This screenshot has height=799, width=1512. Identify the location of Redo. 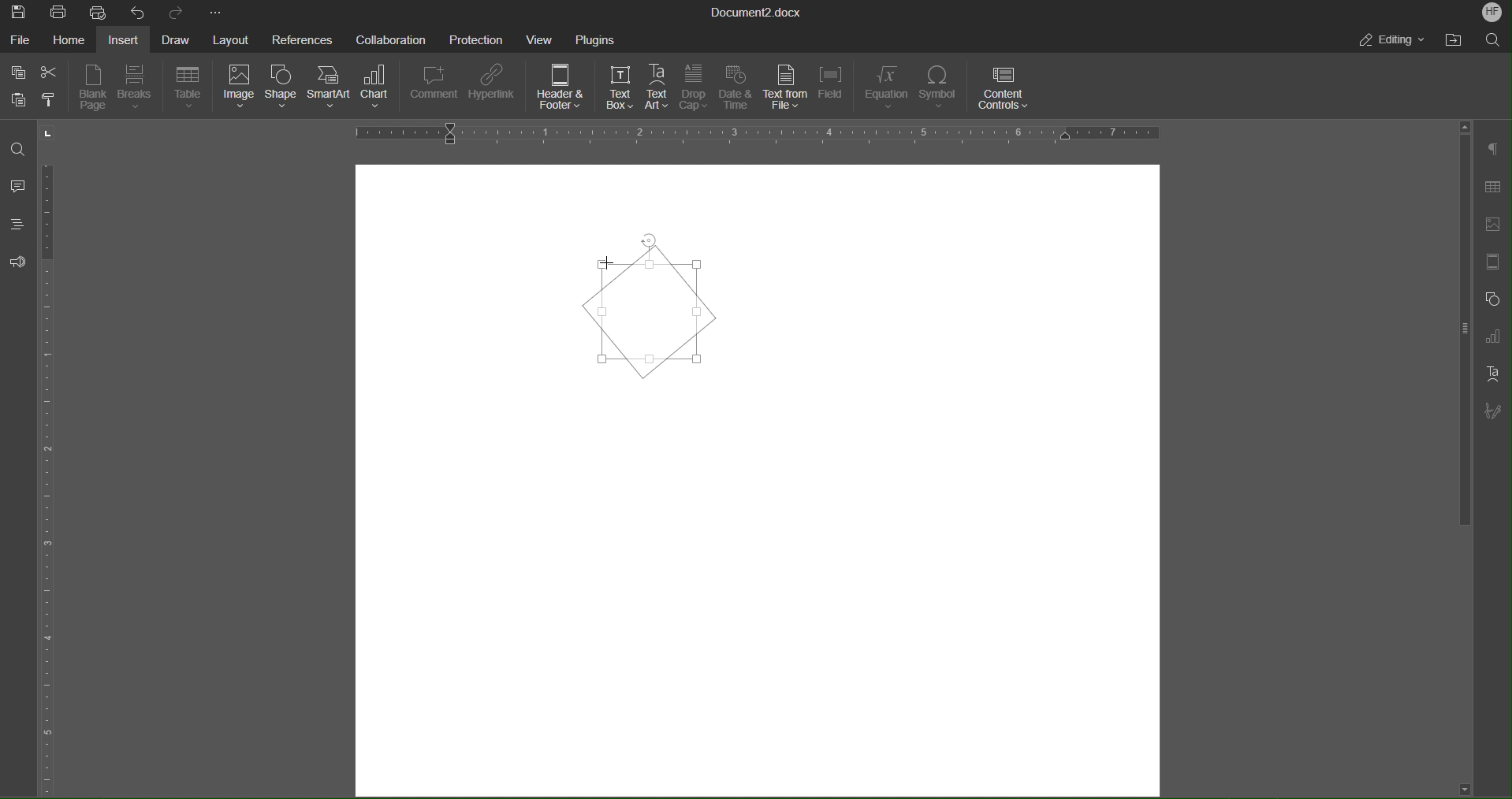
(172, 12).